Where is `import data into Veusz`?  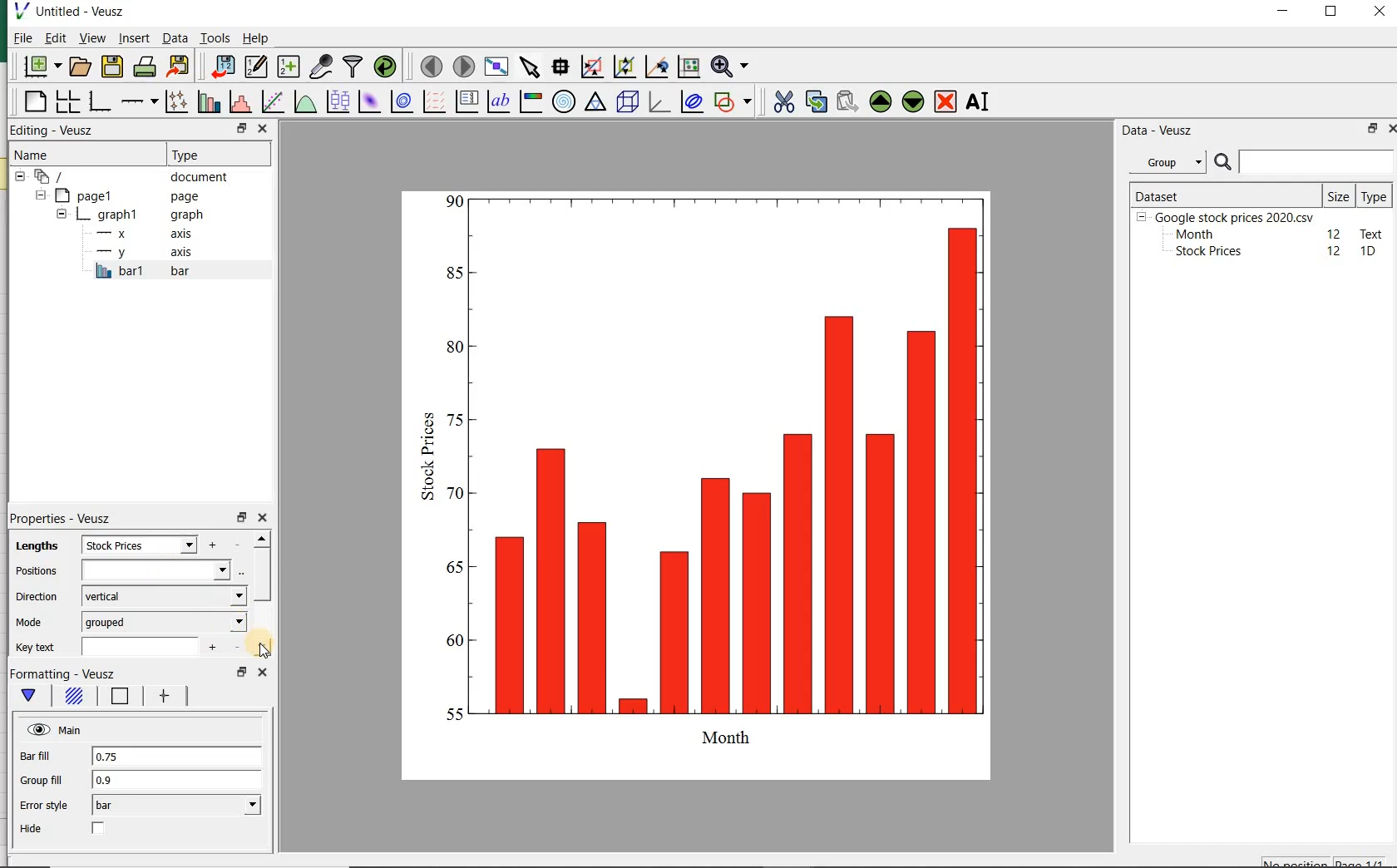
import data into Veusz is located at coordinates (220, 67).